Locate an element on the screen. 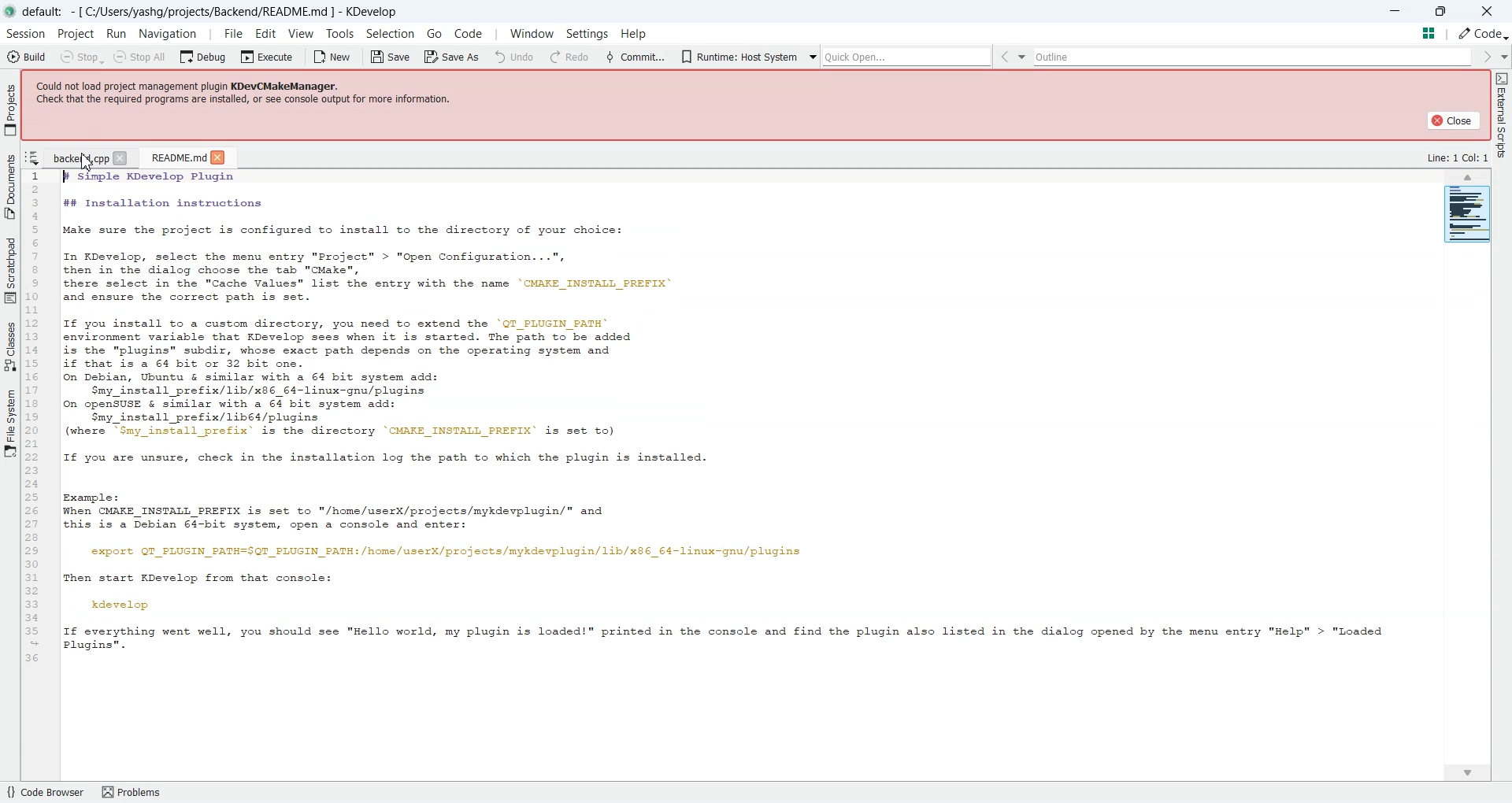 The width and height of the screenshot is (1512, 803). Close is located at coordinates (1487, 10).